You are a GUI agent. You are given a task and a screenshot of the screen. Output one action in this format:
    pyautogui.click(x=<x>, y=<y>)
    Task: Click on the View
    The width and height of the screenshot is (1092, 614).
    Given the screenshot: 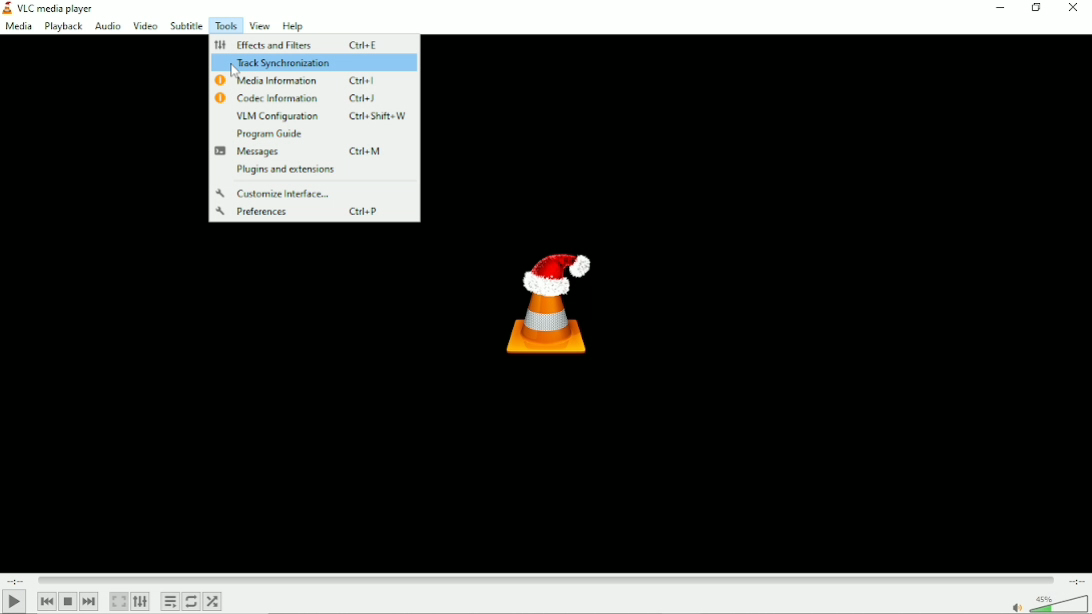 What is the action you would take?
    pyautogui.click(x=258, y=26)
    